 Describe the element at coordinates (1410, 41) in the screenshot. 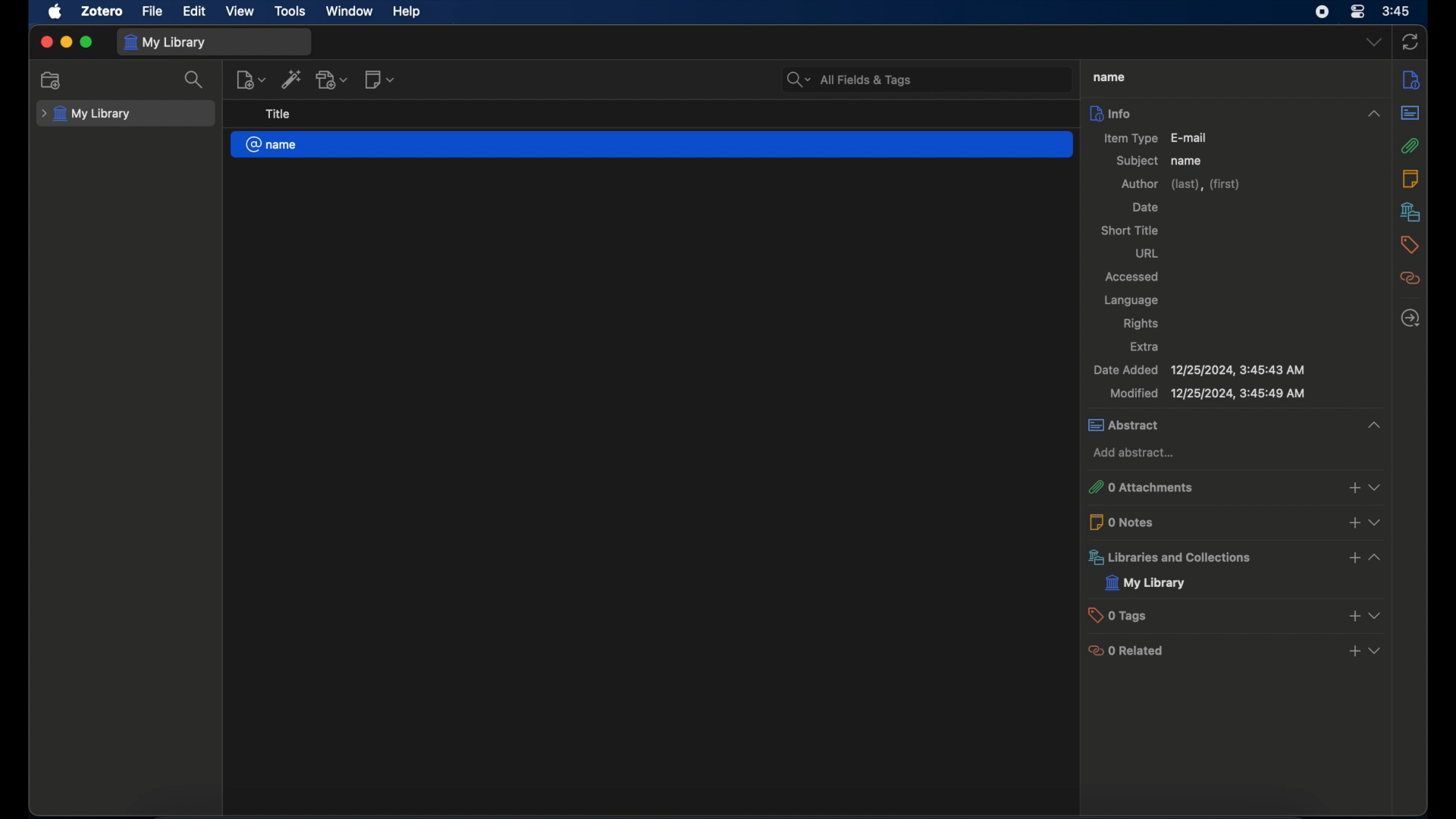

I see `sync` at that location.